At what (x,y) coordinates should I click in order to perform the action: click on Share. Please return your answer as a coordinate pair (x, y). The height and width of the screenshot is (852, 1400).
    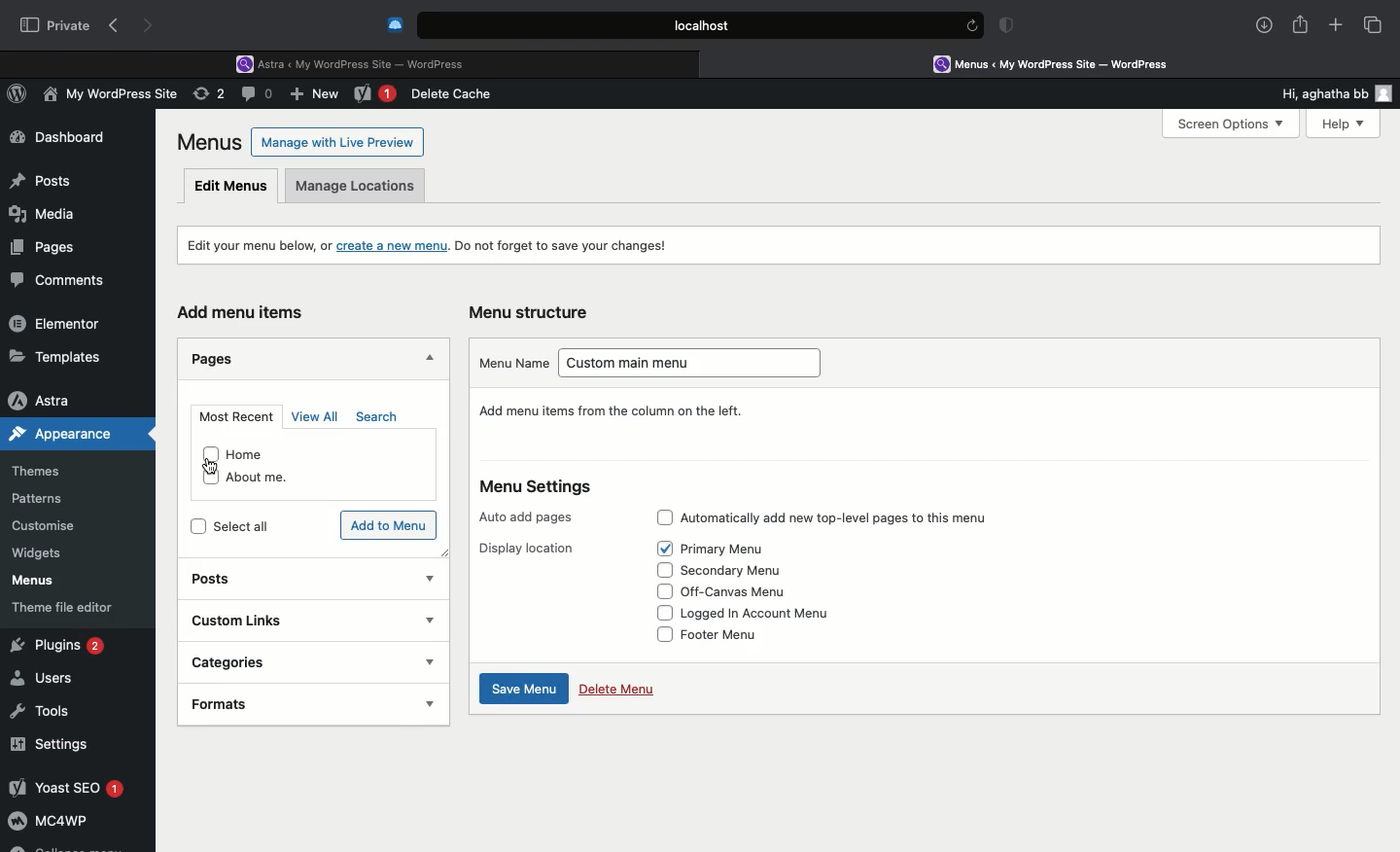
    Looking at the image, I should click on (1301, 25).